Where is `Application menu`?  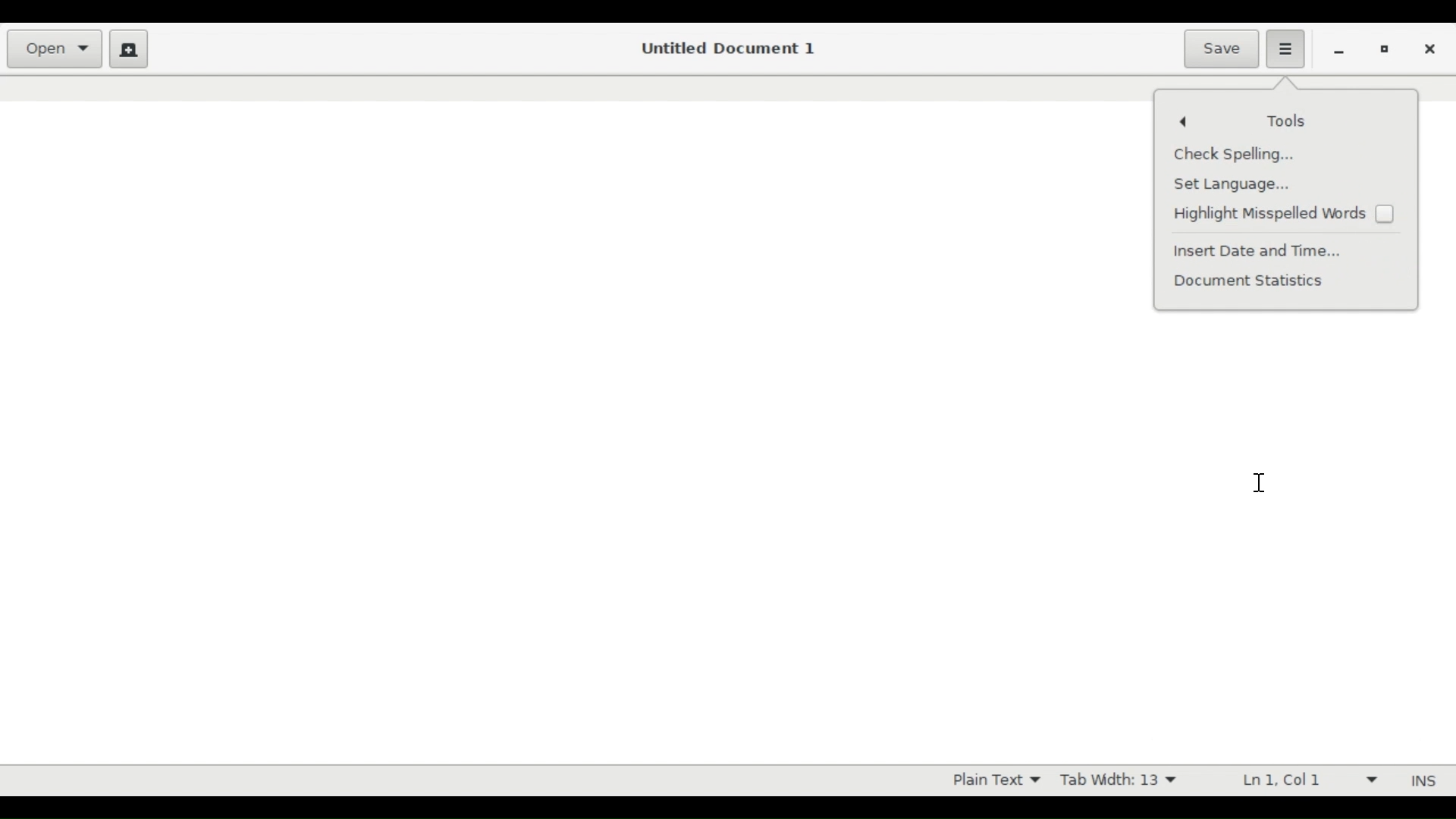 Application menu is located at coordinates (1285, 49).